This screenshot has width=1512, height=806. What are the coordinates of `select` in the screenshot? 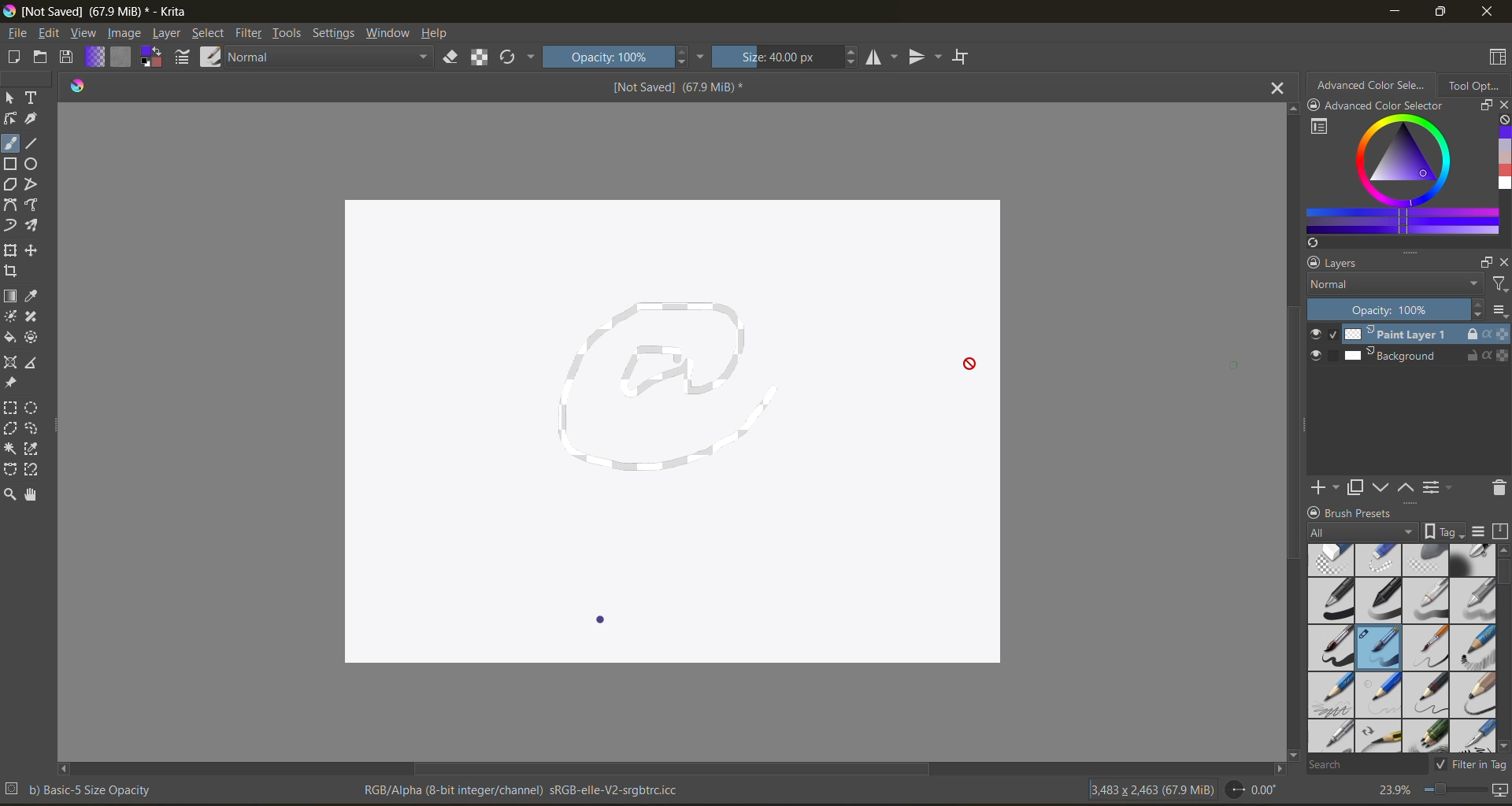 It's located at (9, 98).